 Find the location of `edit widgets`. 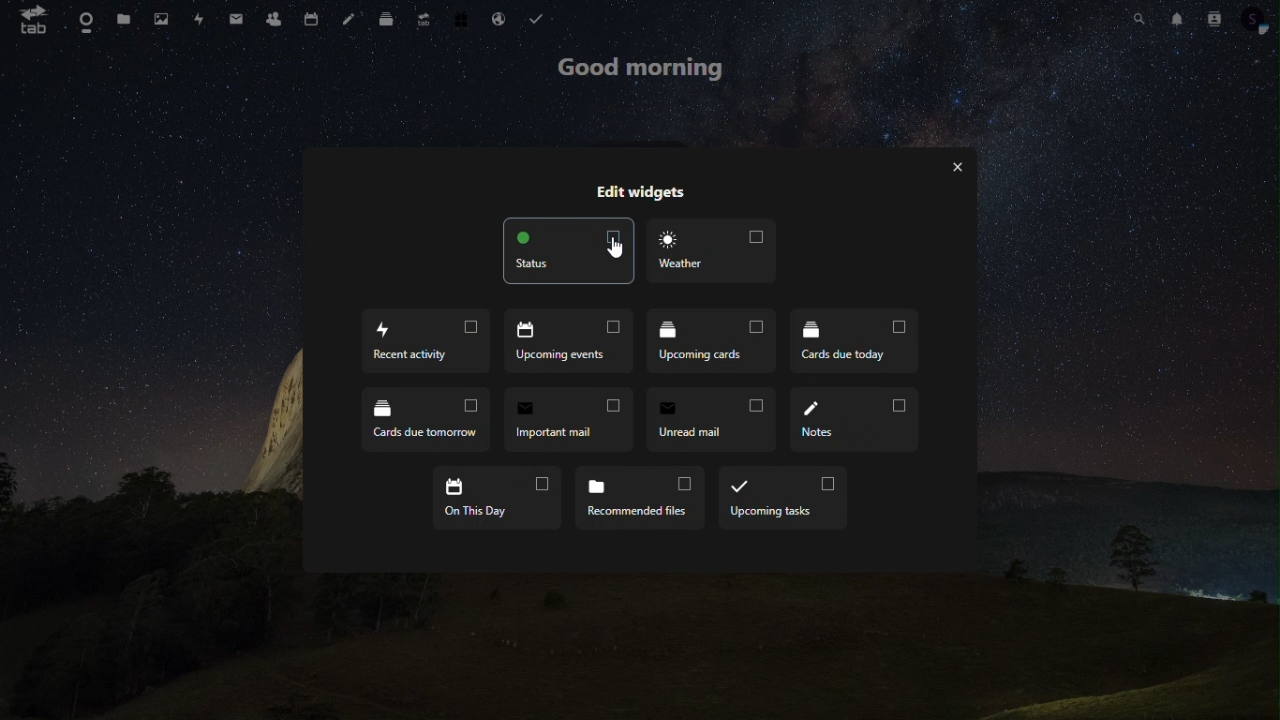

edit widgets is located at coordinates (646, 190).